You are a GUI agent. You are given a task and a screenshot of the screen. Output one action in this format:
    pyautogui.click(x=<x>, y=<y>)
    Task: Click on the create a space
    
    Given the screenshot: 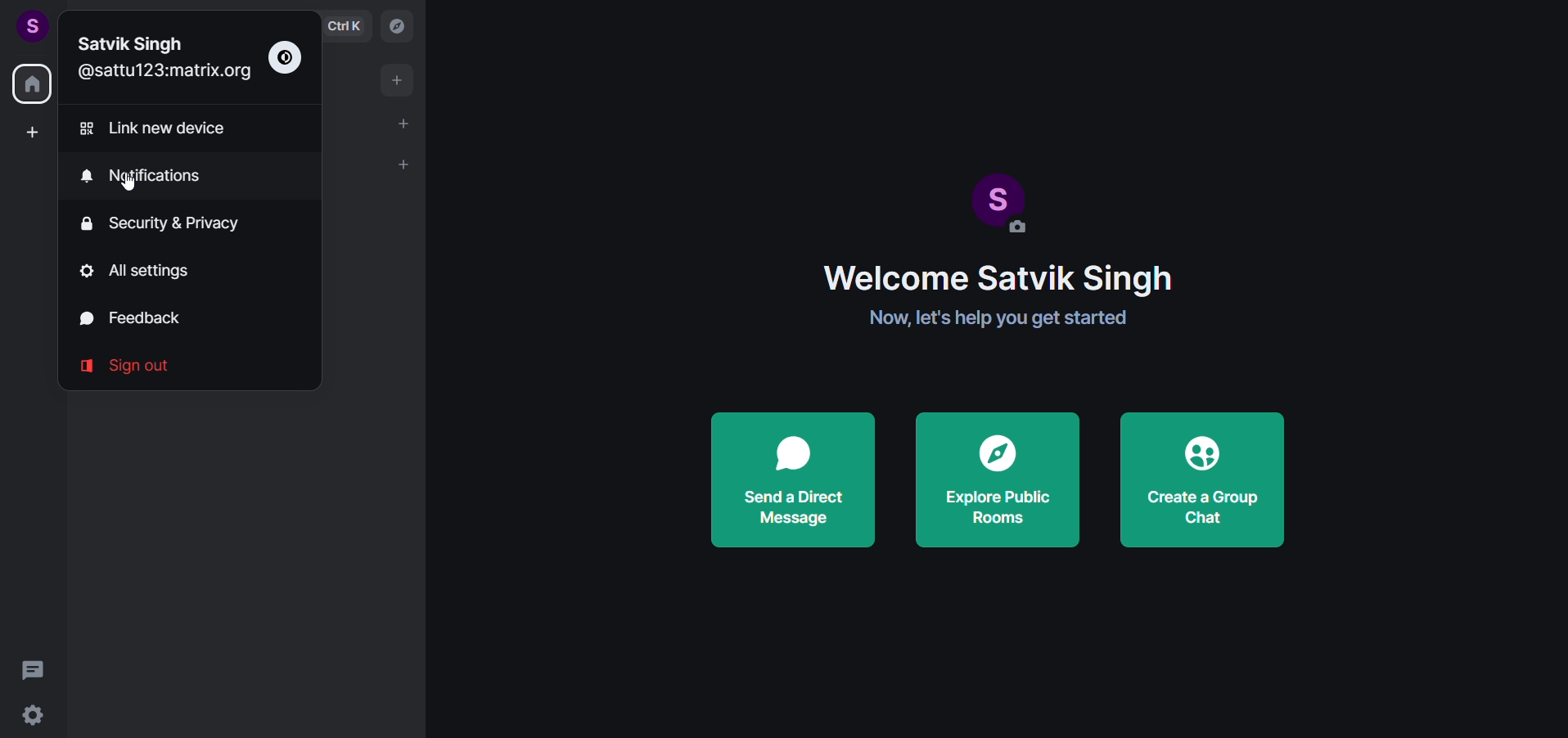 What is the action you would take?
    pyautogui.click(x=34, y=131)
    